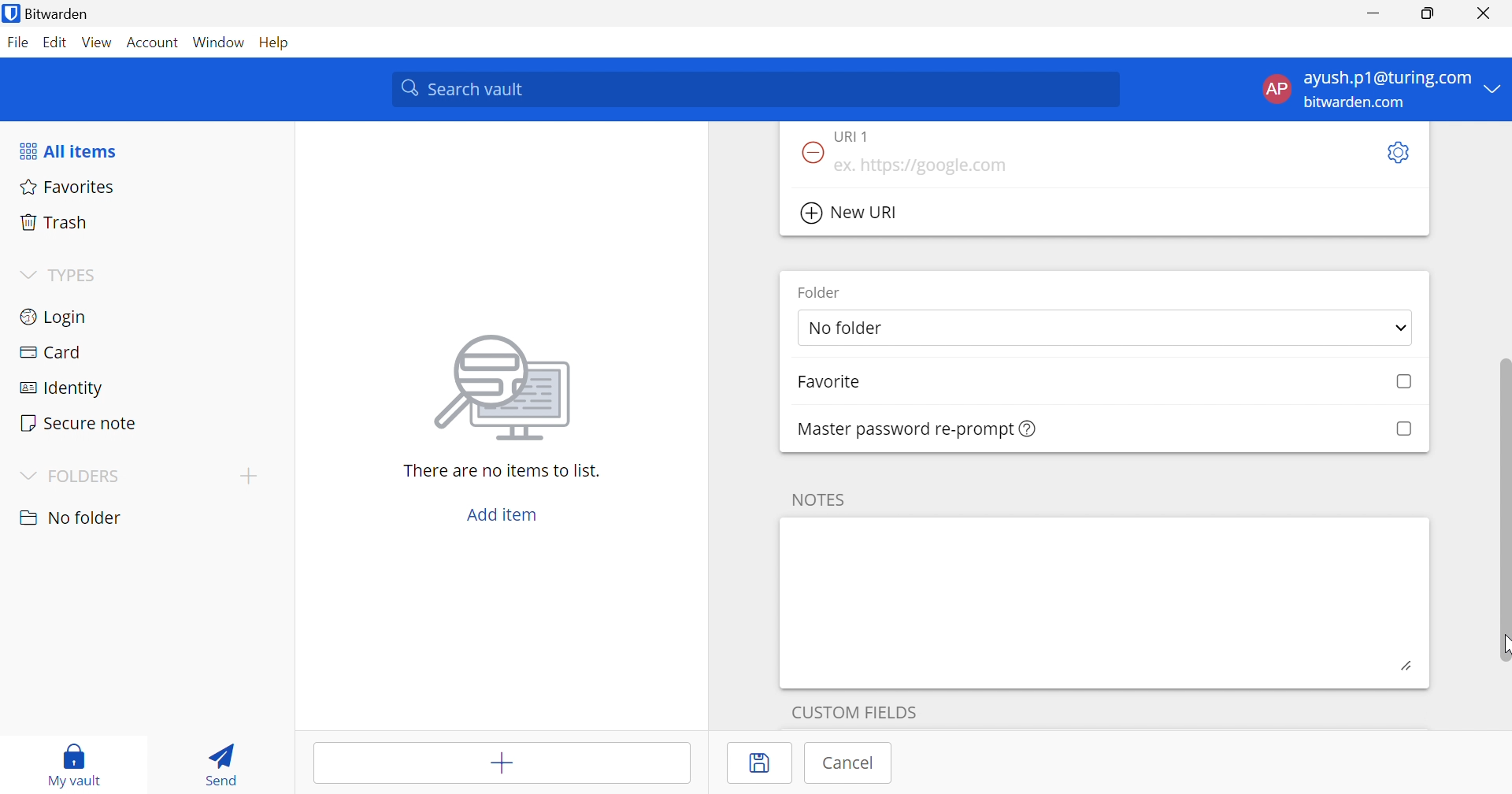  I want to click on Drop Down, so click(27, 276).